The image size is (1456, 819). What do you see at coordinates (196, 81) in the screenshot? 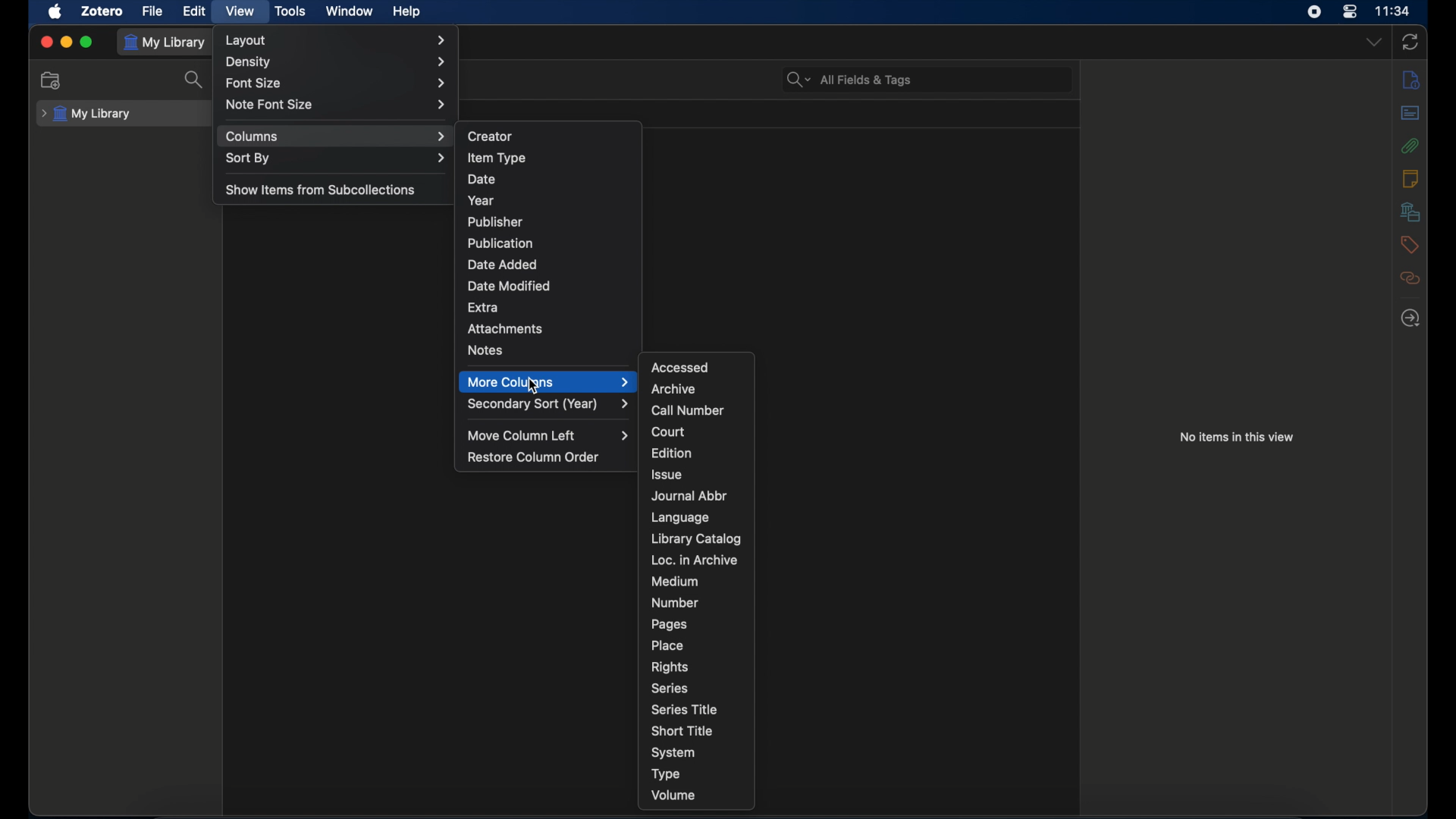
I see `search` at bounding box center [196, 81].